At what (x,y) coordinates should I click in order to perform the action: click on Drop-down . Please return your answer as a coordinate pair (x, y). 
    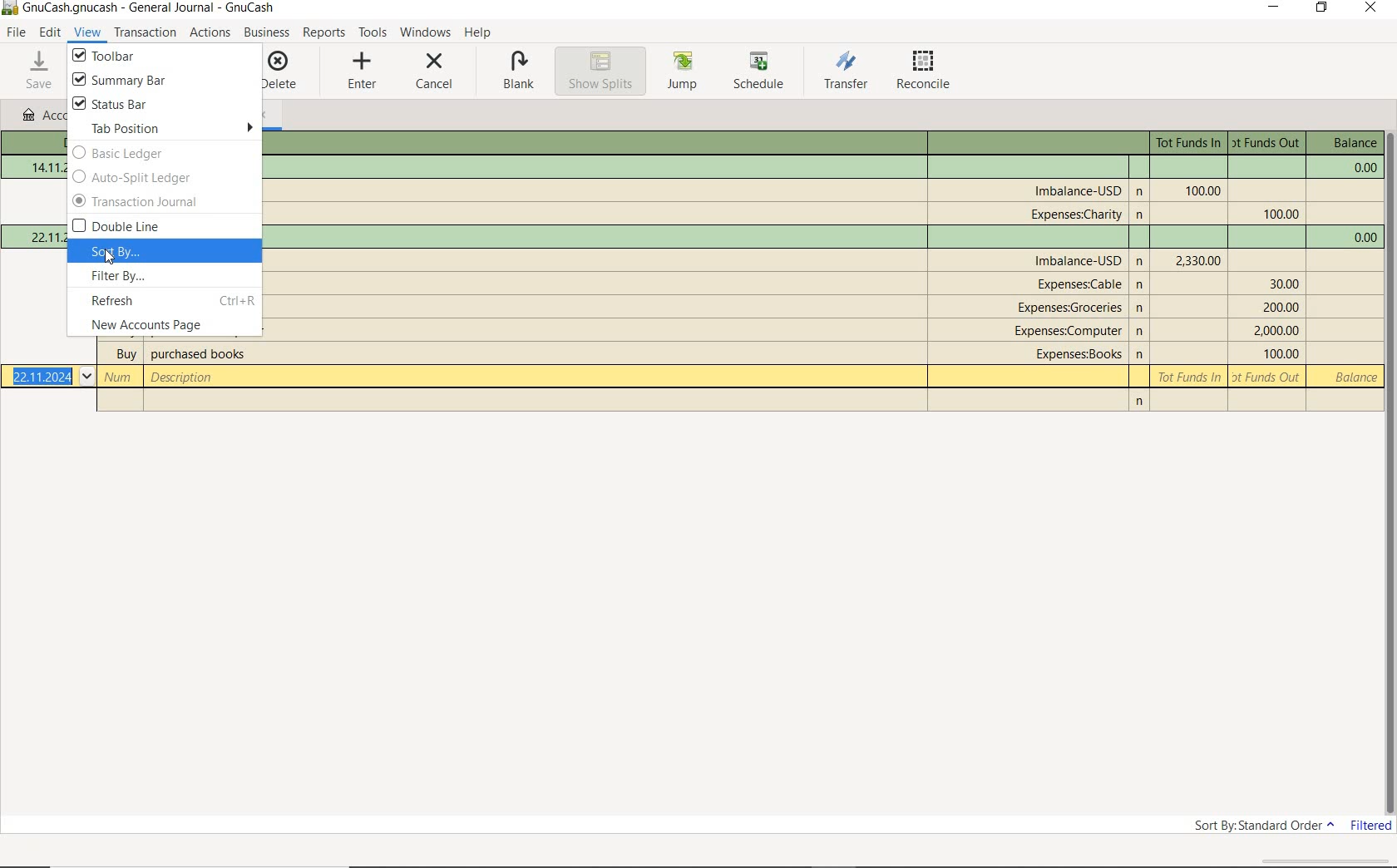
    Looking at the image, I should click on (87, 377).